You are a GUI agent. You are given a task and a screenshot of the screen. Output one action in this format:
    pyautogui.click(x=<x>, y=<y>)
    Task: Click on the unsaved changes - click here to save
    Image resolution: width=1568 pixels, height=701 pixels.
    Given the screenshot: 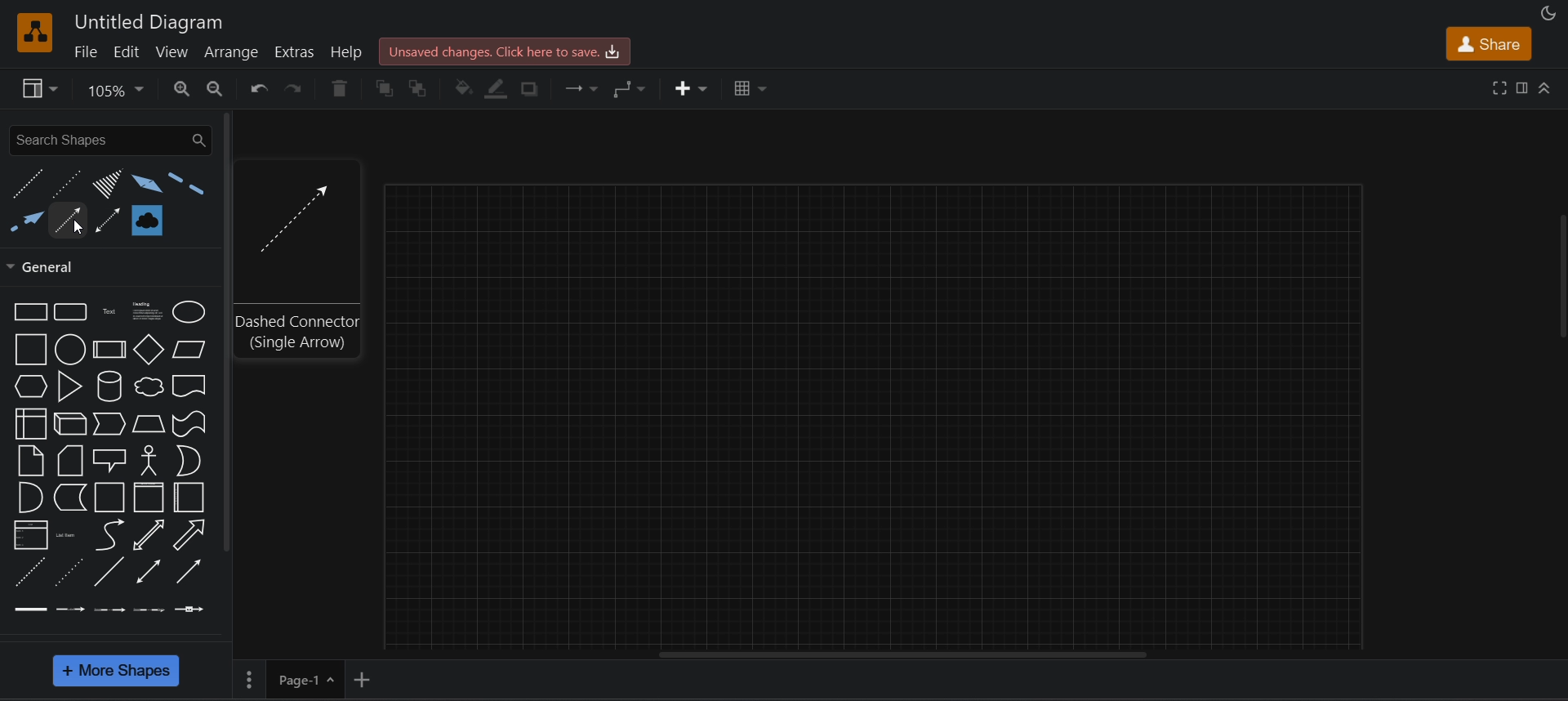 What is the action you would take?
    pyautogui.click(x=507, y=50)
    